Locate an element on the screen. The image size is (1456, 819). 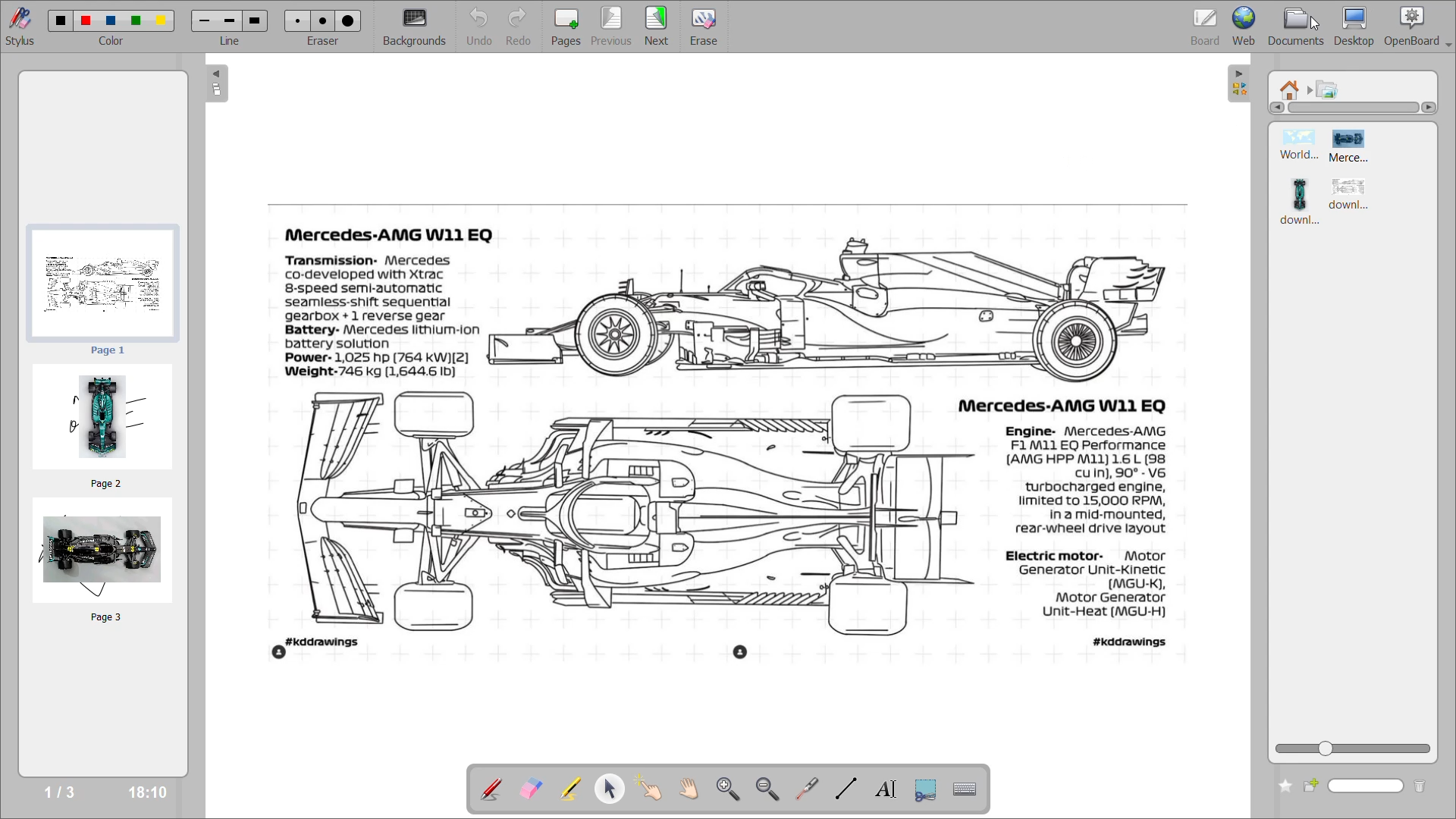
zoom out is located at coordinates (772, 789).